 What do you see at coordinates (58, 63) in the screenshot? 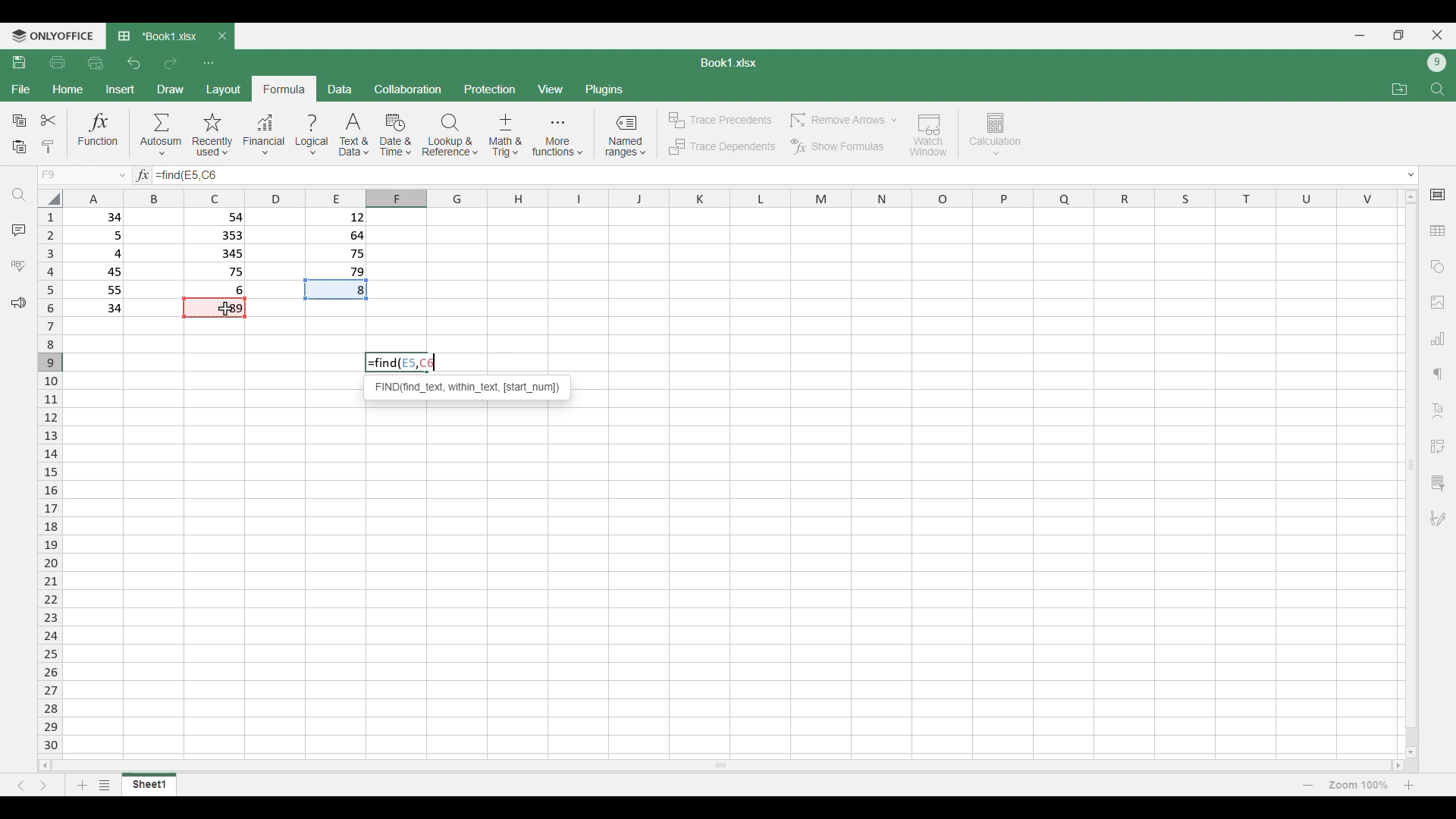
I see `Print file` at bounding box center [58, 63].